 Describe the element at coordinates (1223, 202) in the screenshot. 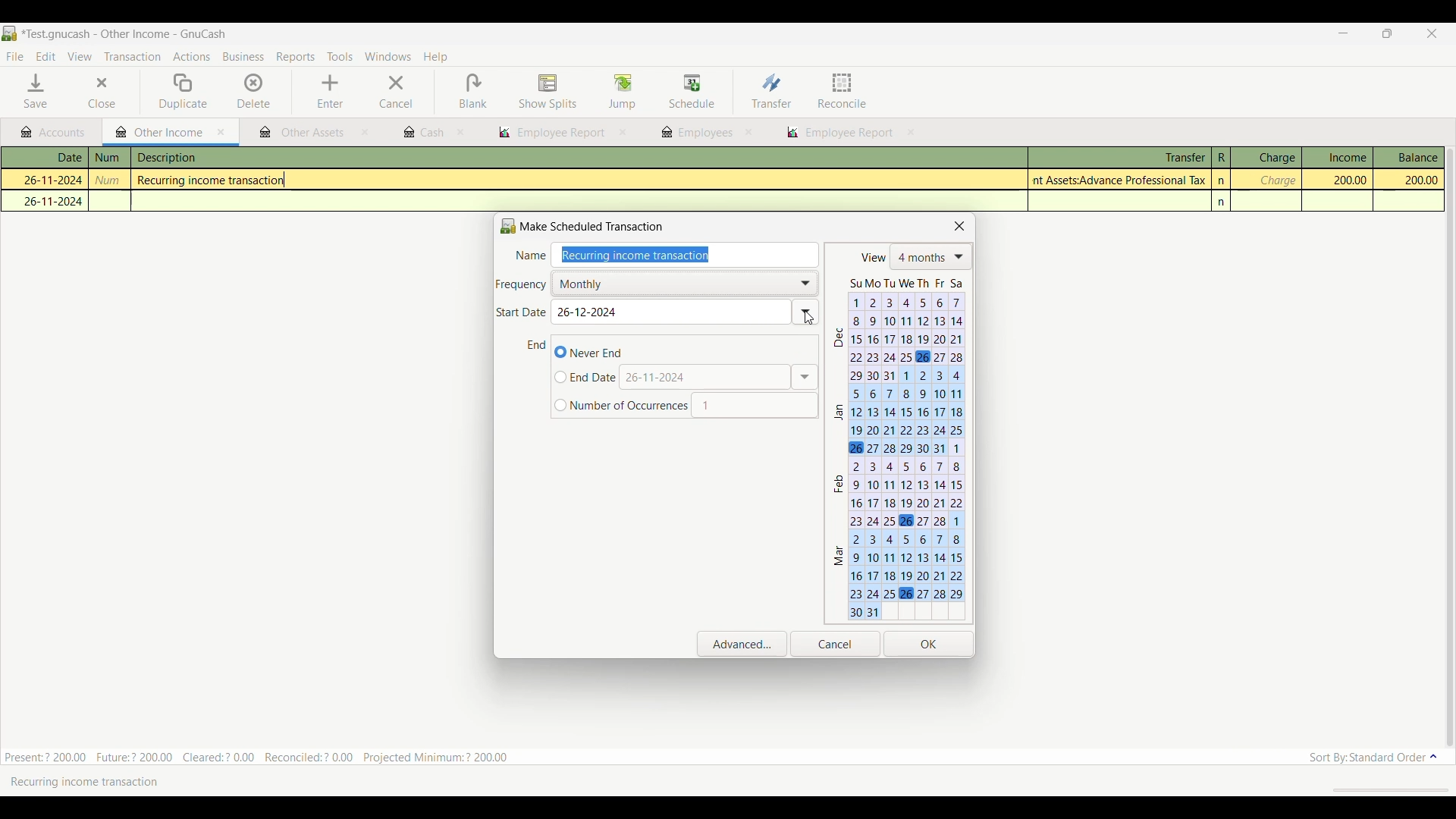

I see `n` at that location.